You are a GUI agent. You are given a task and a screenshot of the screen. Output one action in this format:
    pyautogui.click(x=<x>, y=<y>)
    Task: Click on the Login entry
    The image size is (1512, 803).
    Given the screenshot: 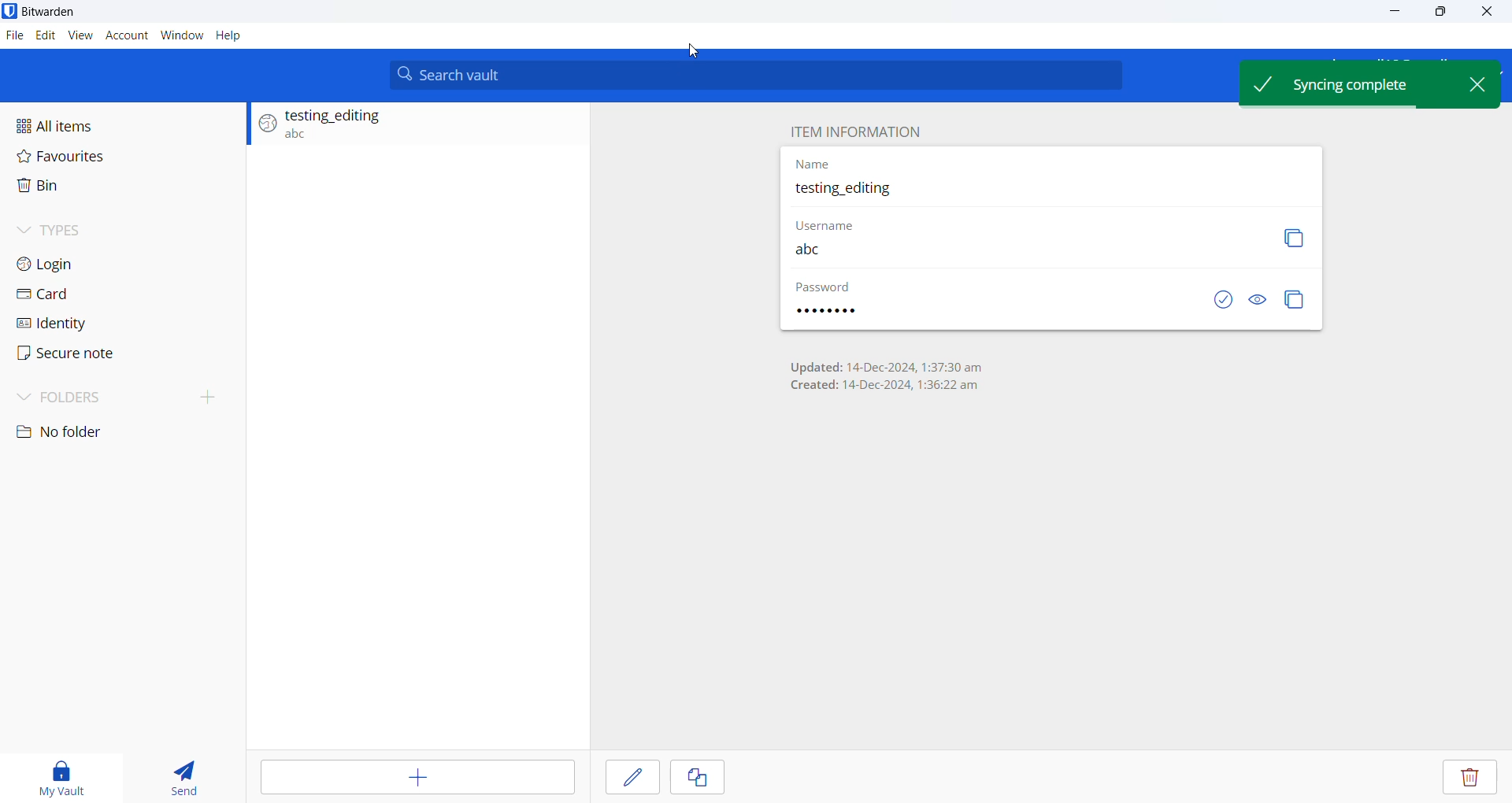 What is the action you would take?
    pyautogui.click(x=410, y=128)
    